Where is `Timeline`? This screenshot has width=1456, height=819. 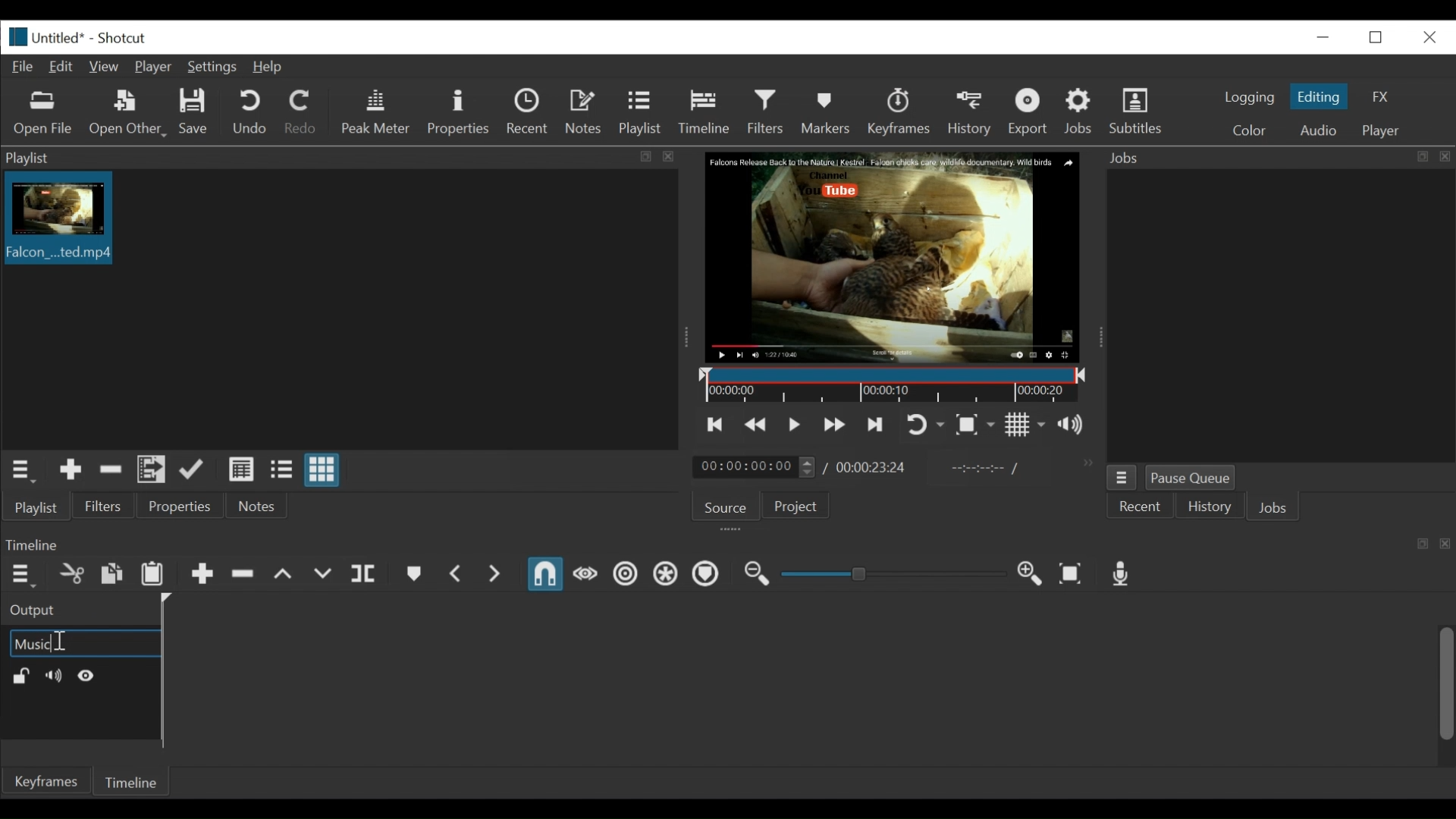 Timeline is located at coordinates (708, 113).